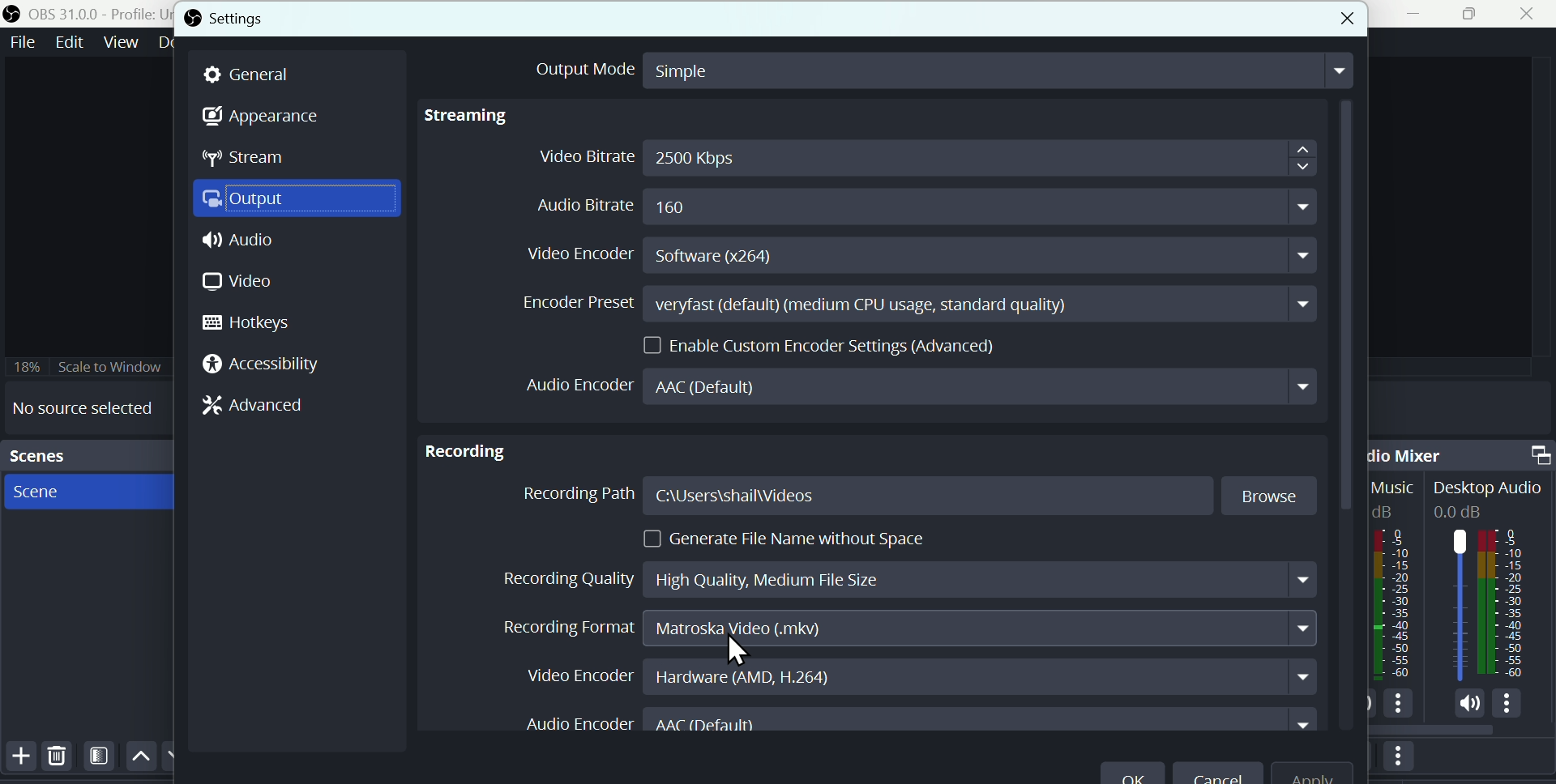  I want to click on Settings, so click(229, 16).